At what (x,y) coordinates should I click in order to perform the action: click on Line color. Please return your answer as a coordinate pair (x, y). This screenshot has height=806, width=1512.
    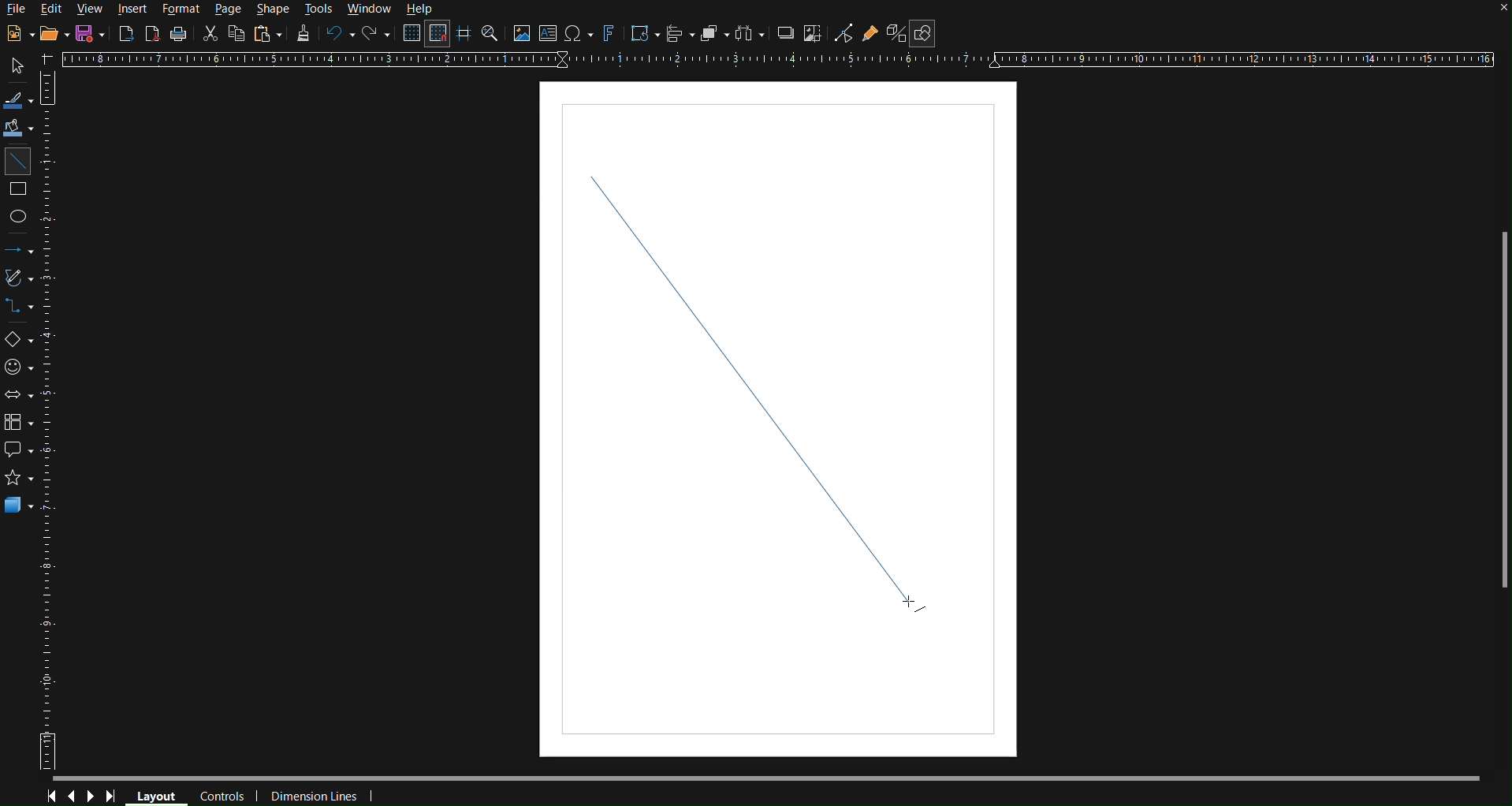
    Looking at the image, I should click on (19, 101).